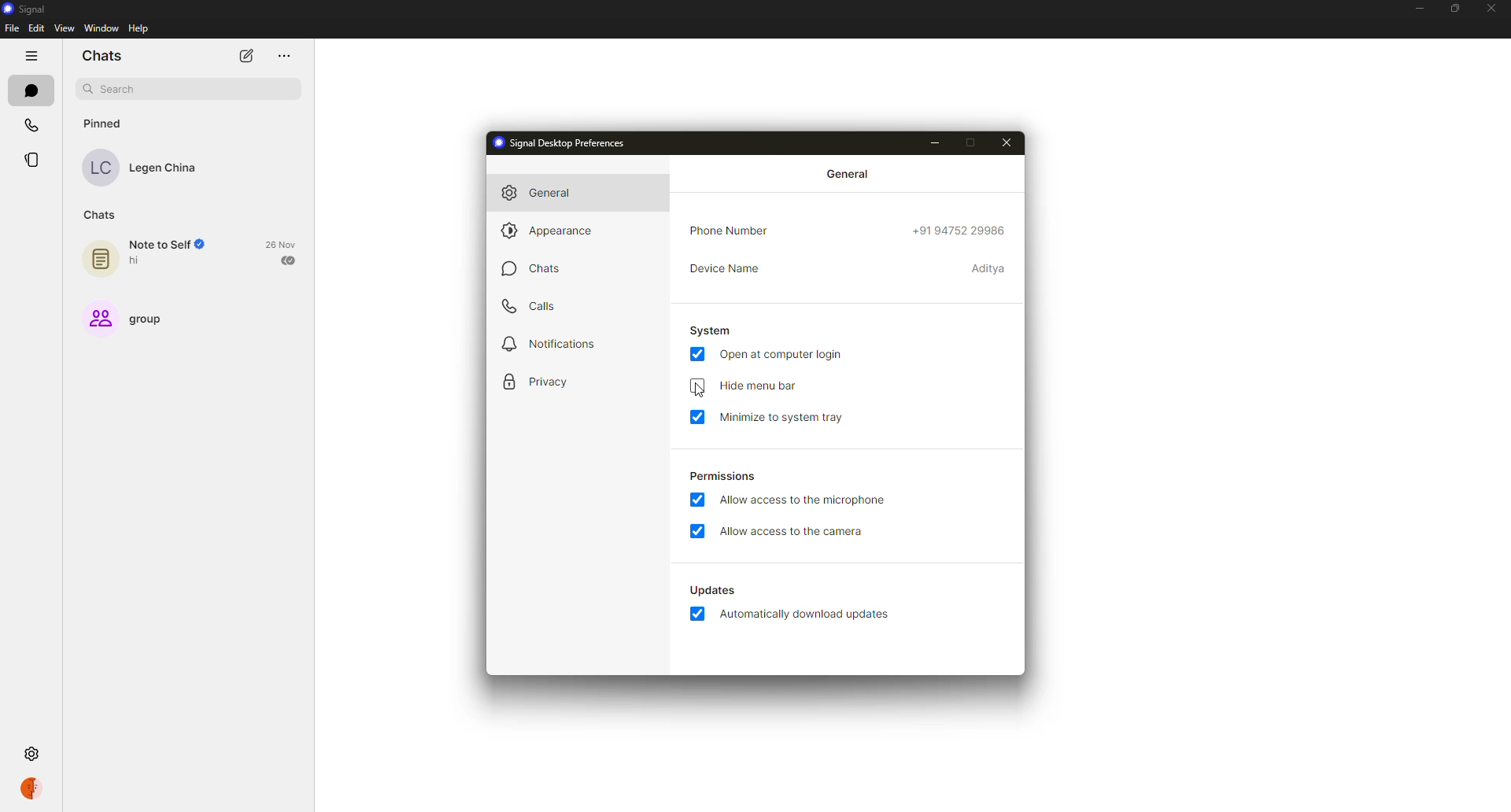 The width and height of the screenshot is (1511, 812). I want to click on new chat, so click(246, 57).